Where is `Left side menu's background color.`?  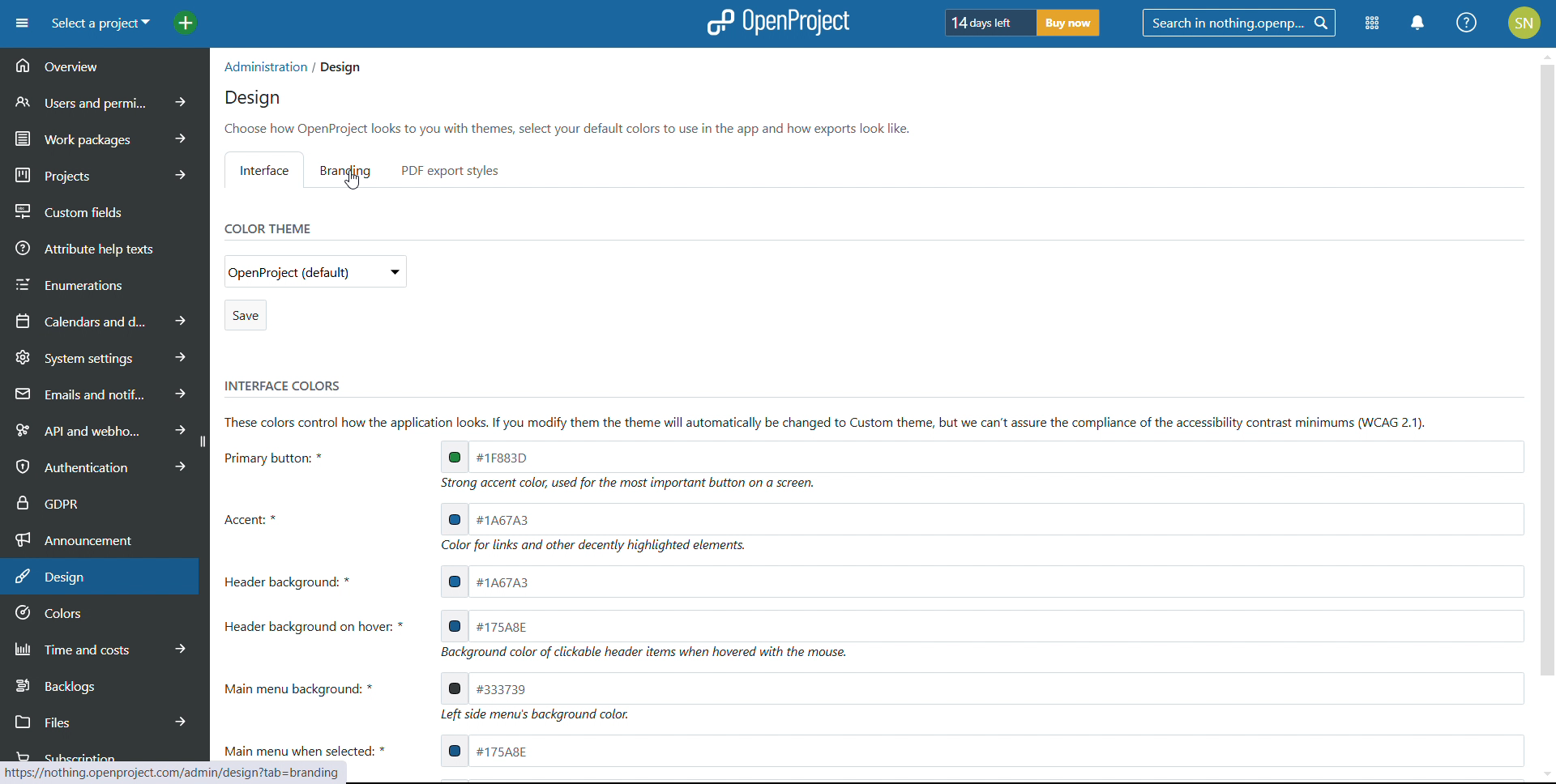
Left side menu's background color. is located at coordinates (539, 717).